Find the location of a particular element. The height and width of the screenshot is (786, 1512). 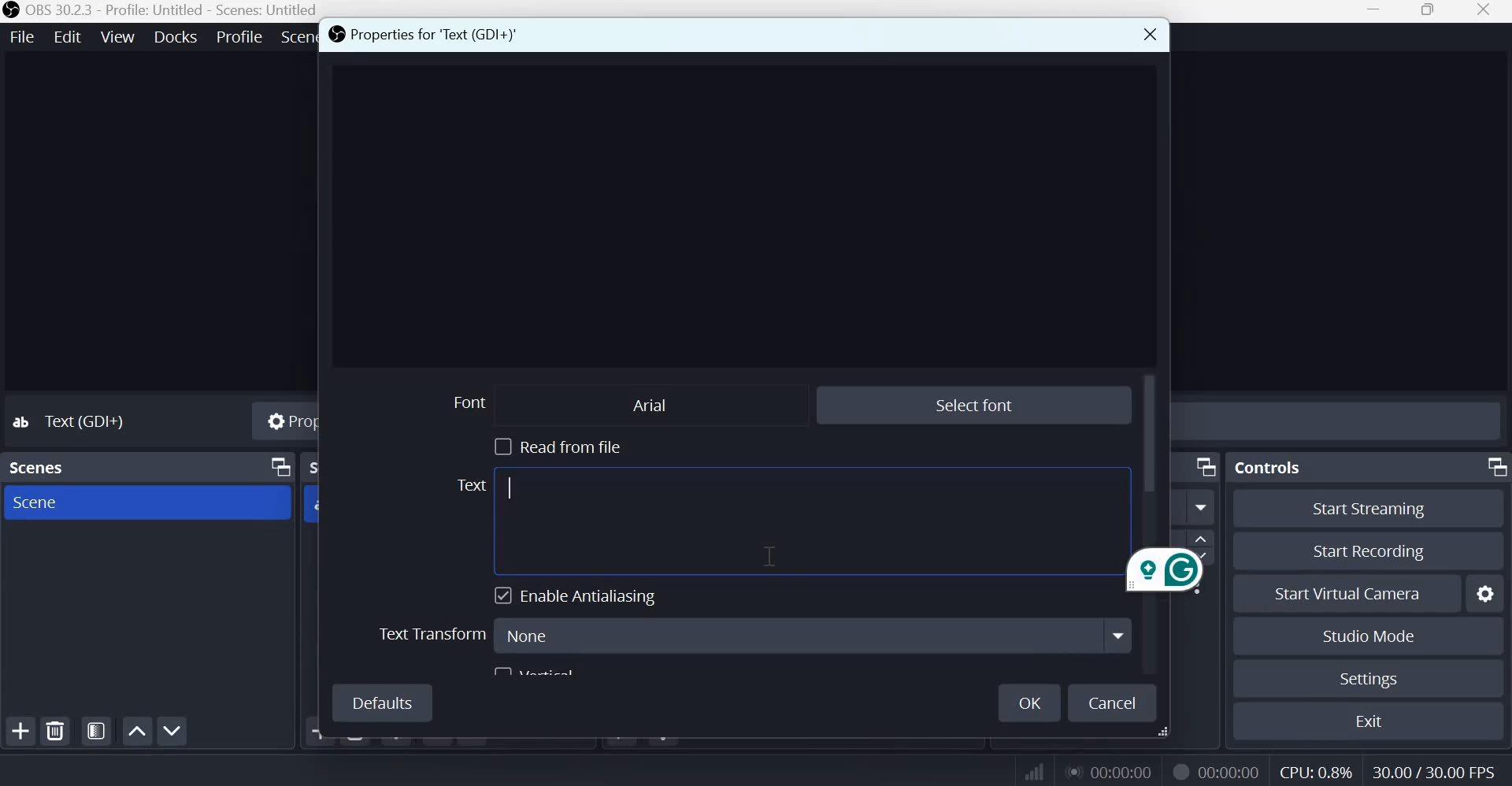

Move scene up is located at coordinates (136, 731).